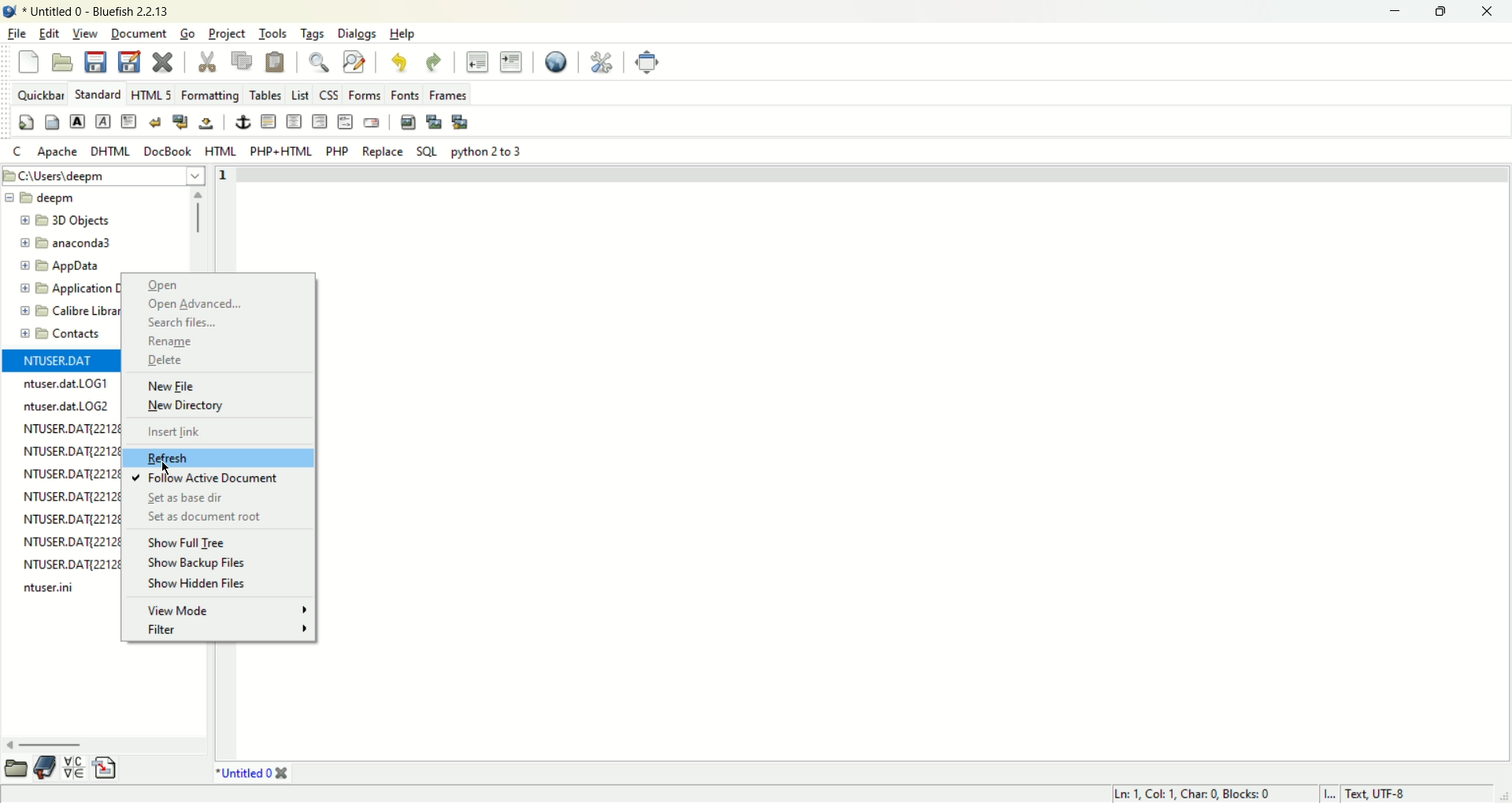 The image size is (1512, 803). Describe the element at coordinates (228, 631) in the screenshot. I see `filter` at that location.